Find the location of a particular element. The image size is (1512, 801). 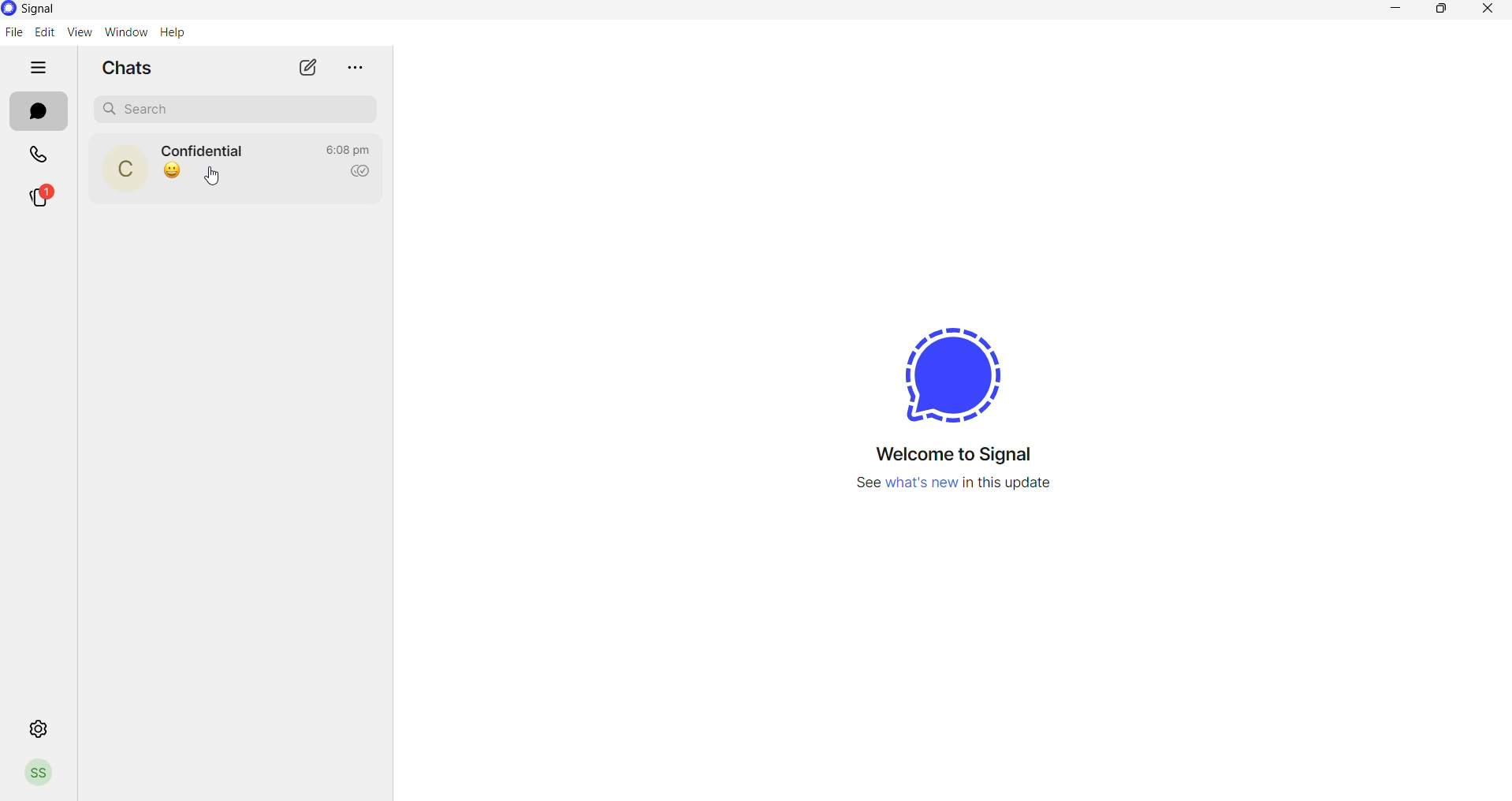

new chat is located at coordinates (308, 67).